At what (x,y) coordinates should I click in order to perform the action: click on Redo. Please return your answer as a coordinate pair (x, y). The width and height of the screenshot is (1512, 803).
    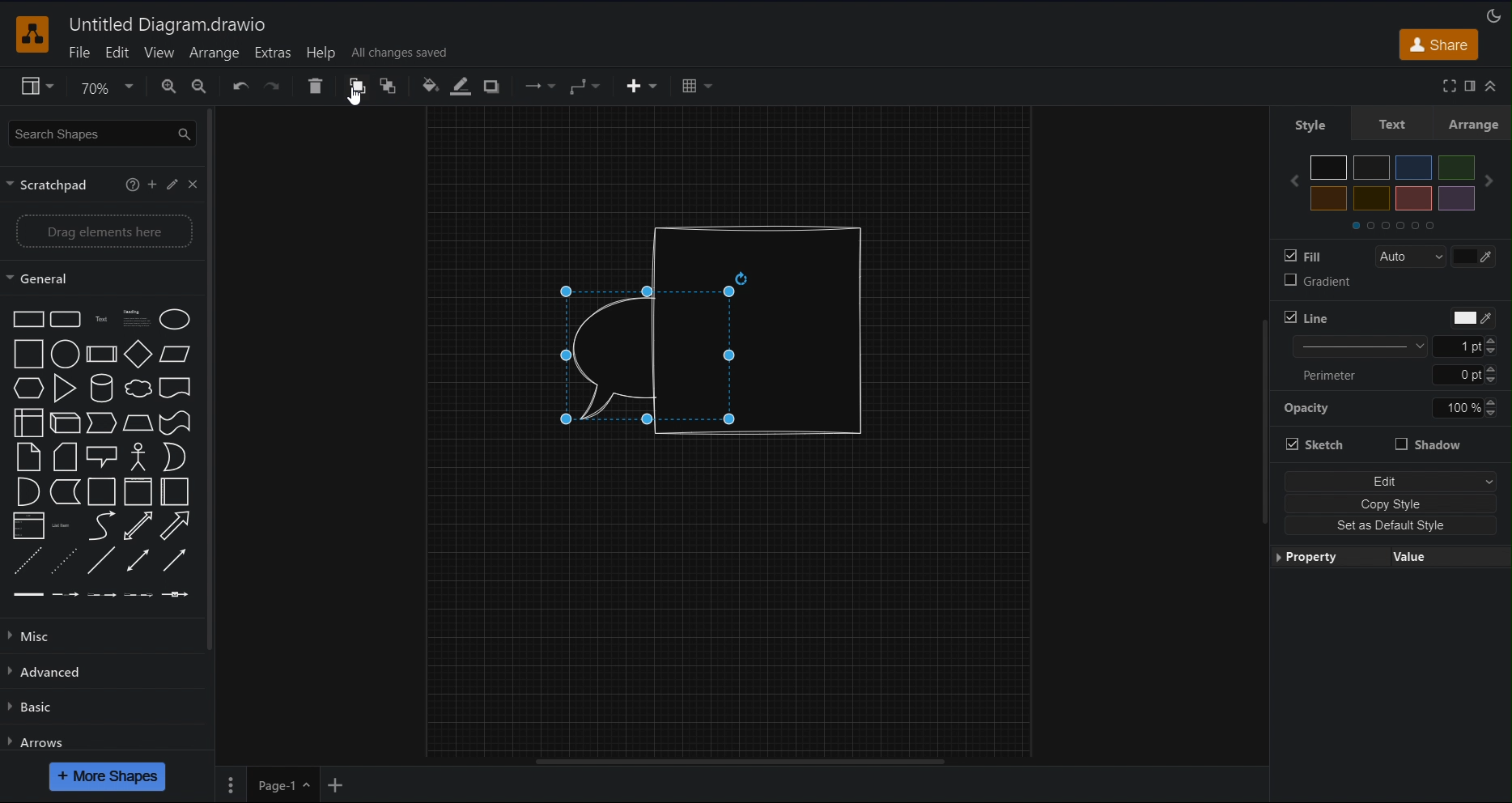
    Looking at the image, I should click on (274, 86).